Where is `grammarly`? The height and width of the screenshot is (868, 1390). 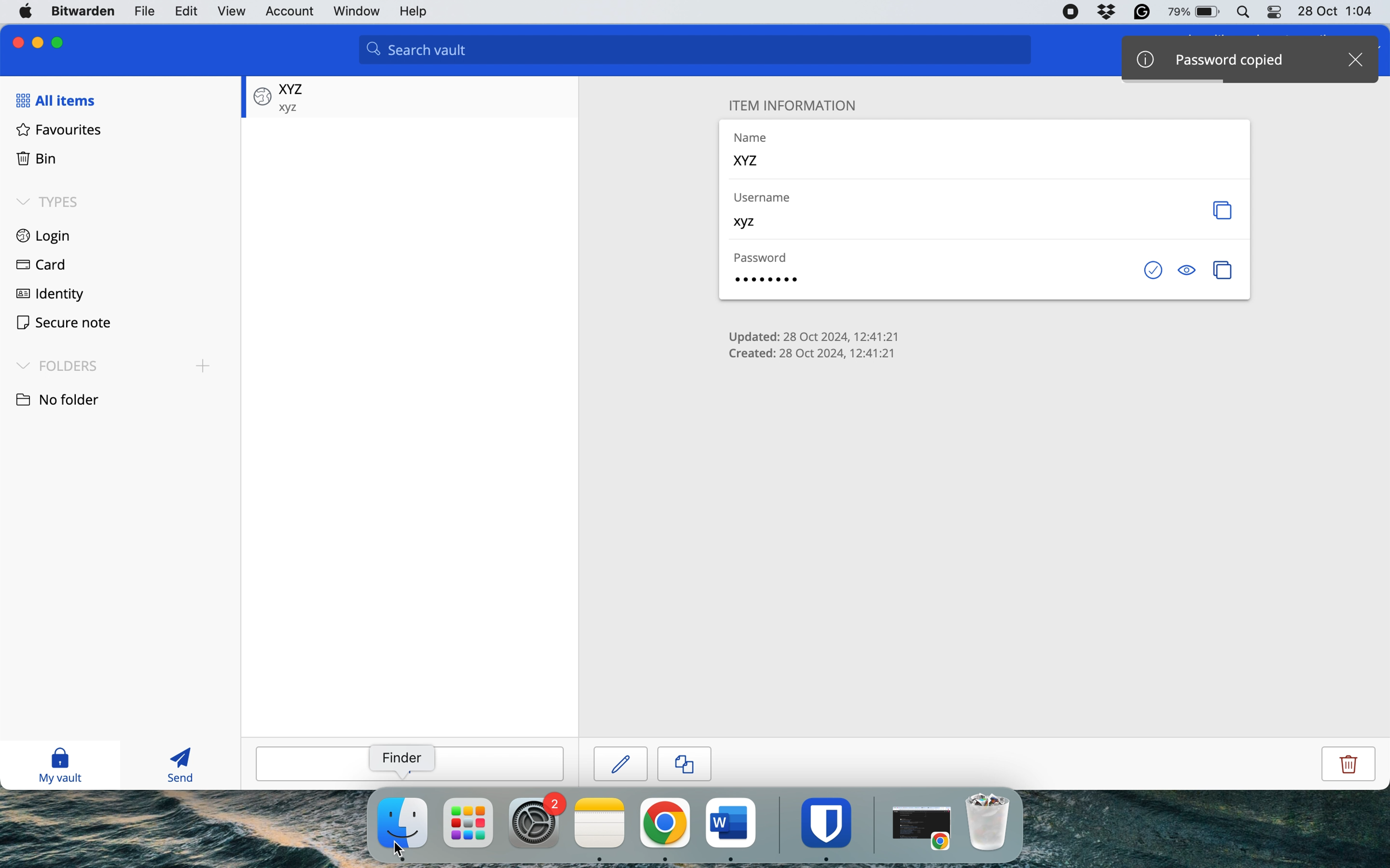
grammarly is located at coordinates (1140, 12).